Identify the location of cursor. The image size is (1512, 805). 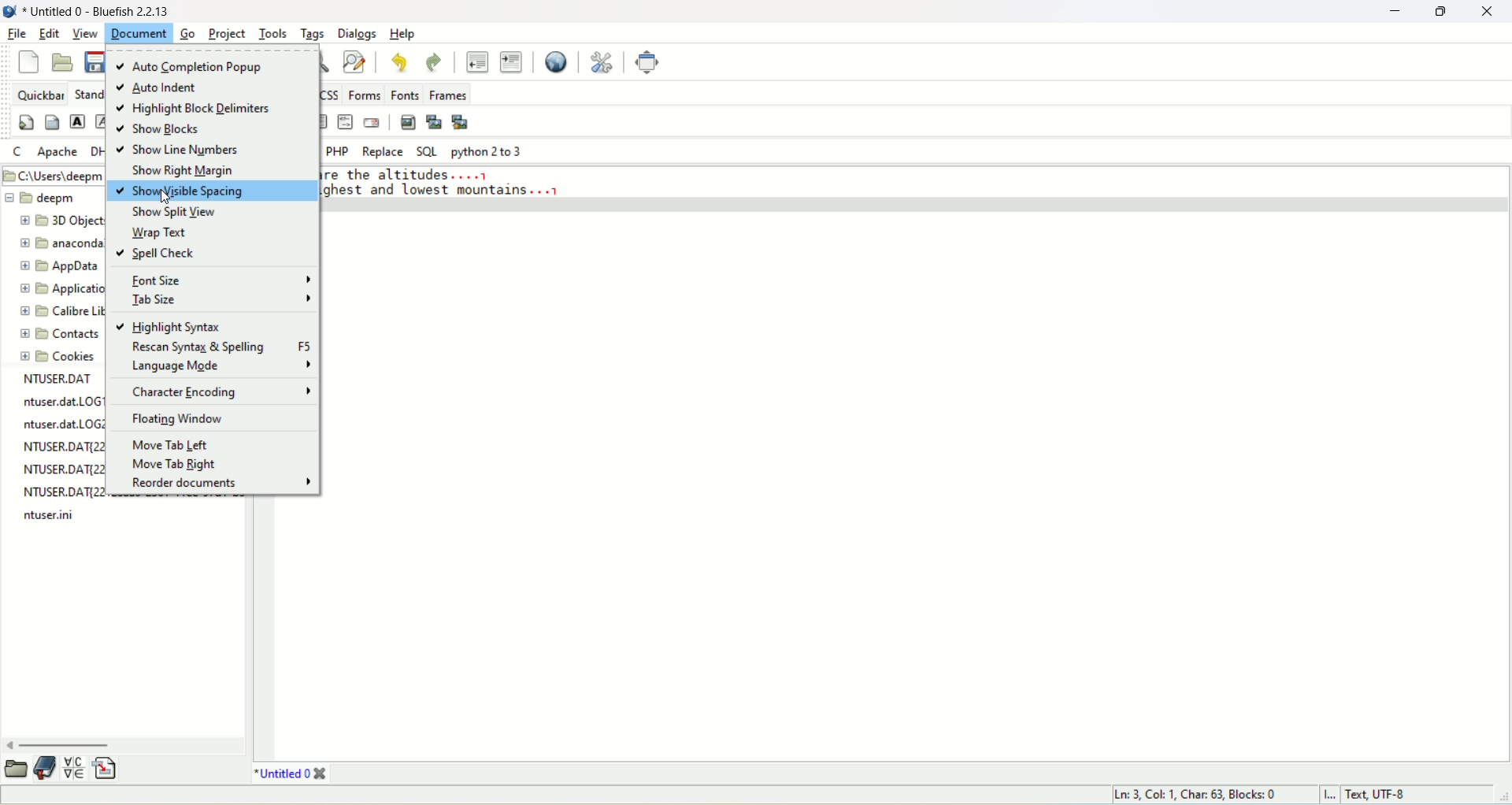
(179, 206).